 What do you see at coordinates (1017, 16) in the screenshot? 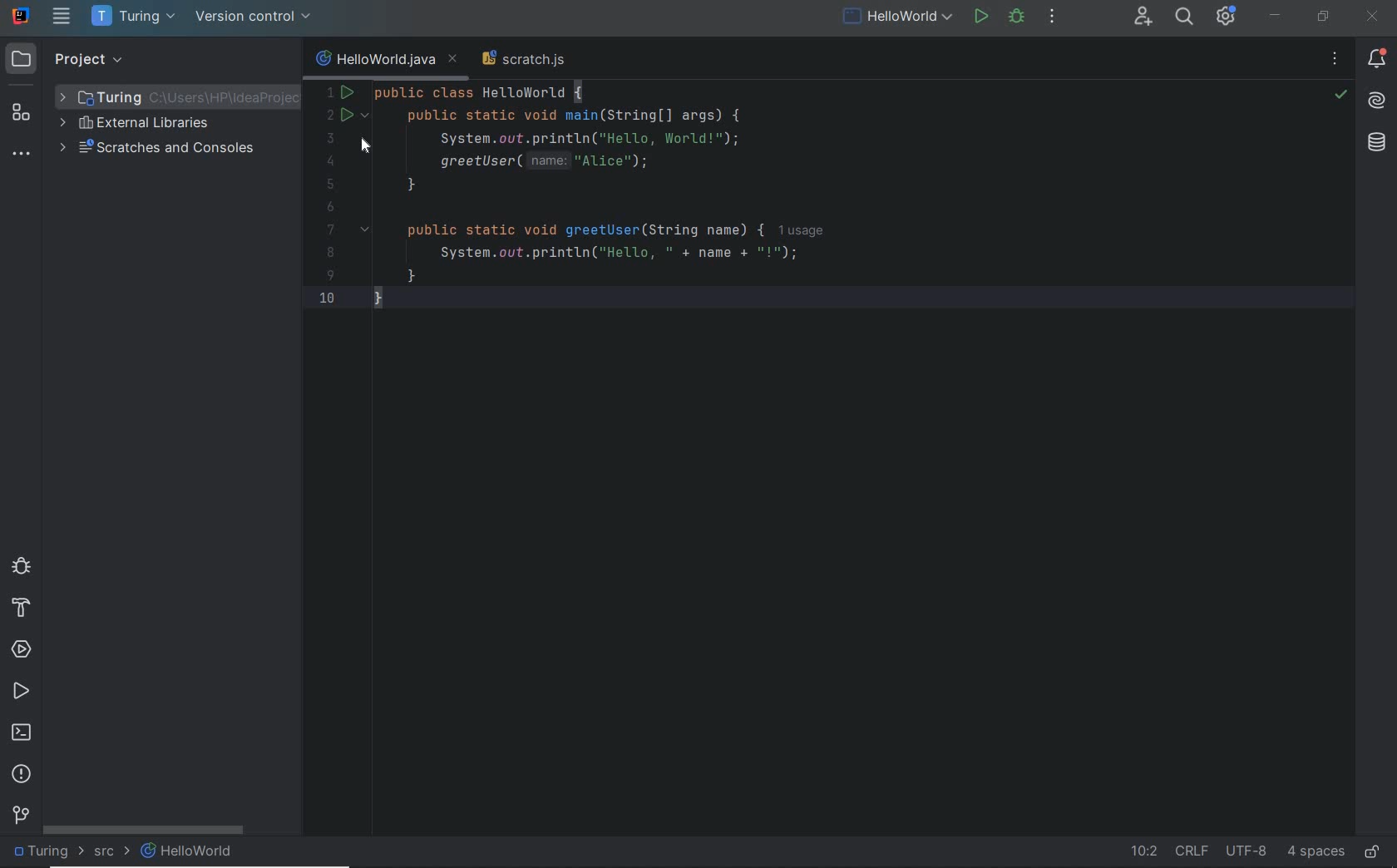
I see `debug` at bounding box center [1017, 16].